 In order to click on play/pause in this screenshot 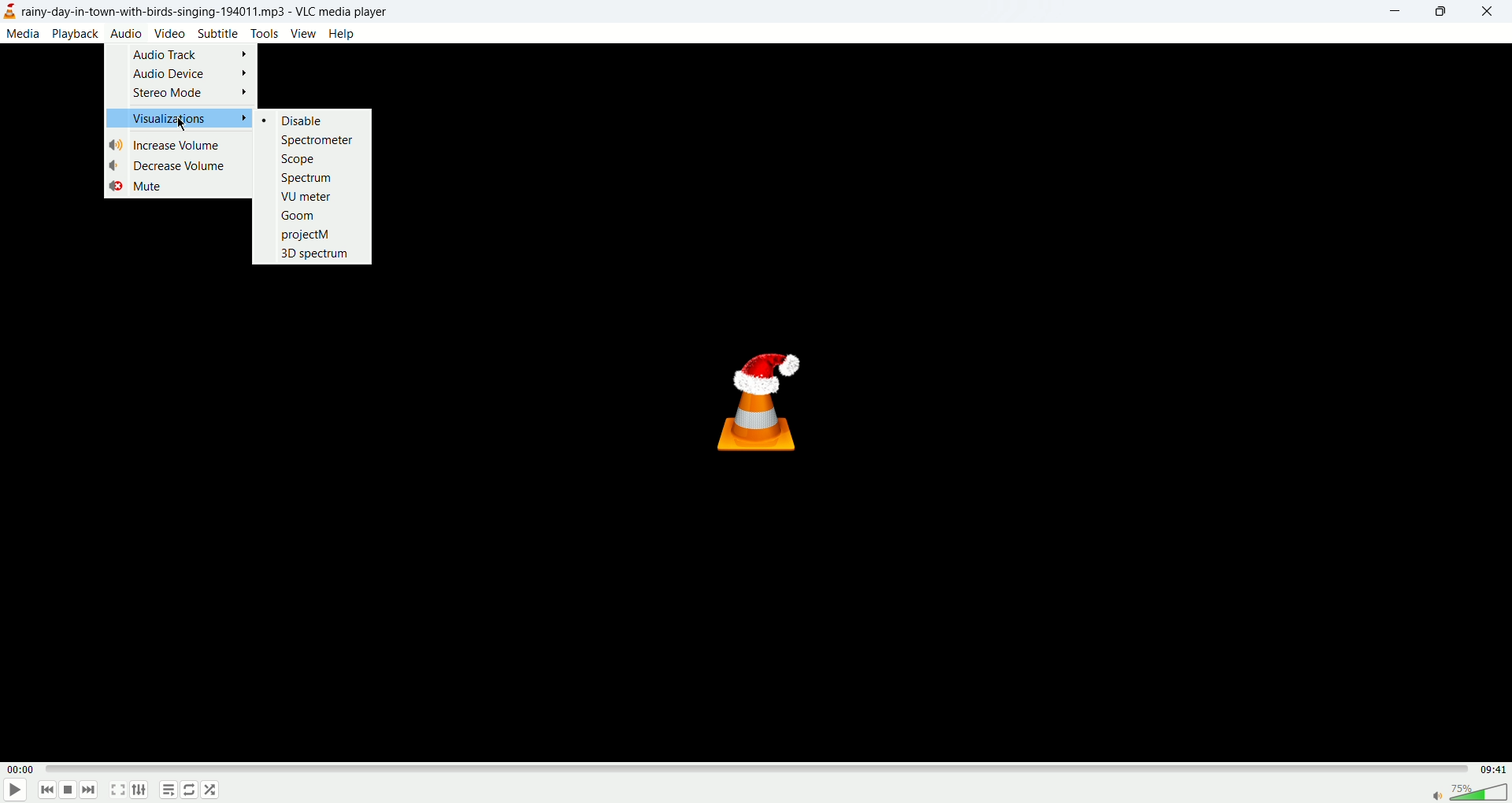, I will do `click(16, 790)`.